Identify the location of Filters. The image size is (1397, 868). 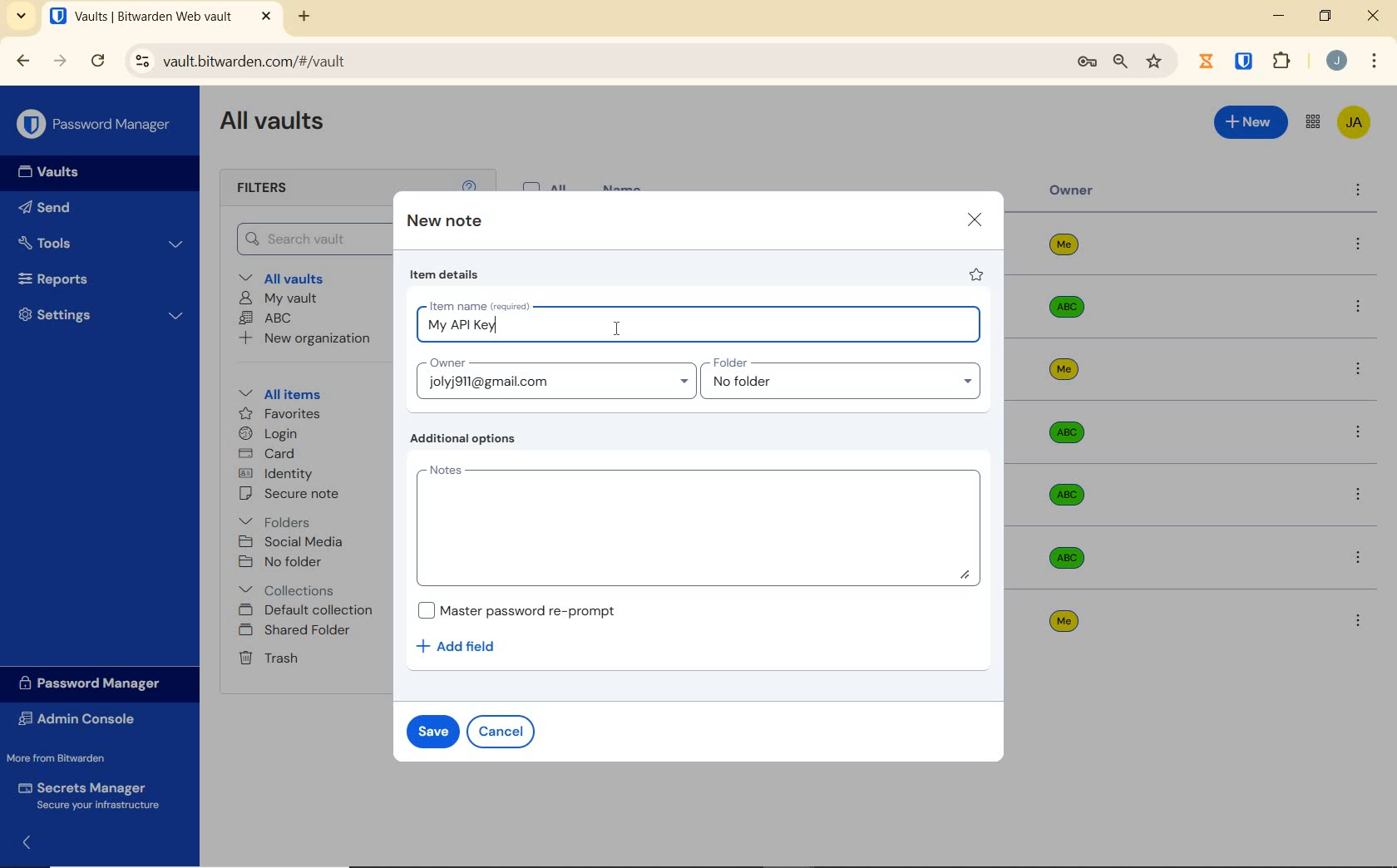
(265, 189).